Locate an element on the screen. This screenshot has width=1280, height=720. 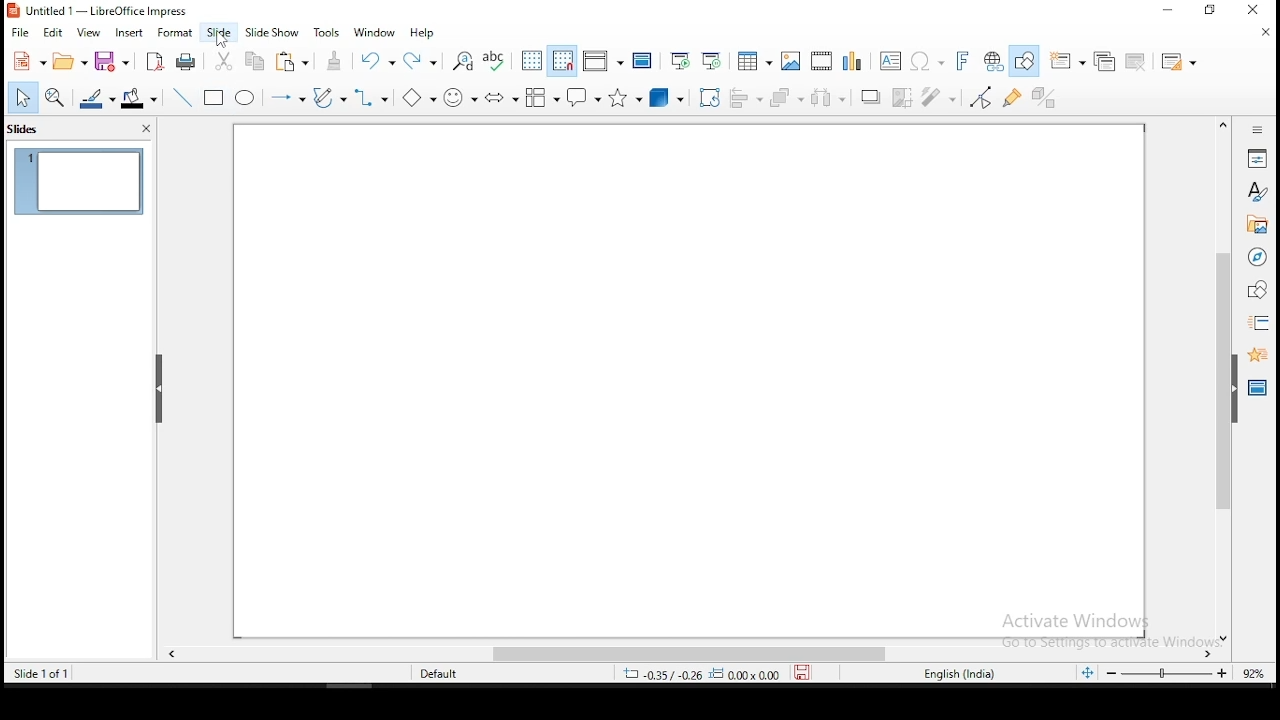
show draw functions is located at coordinates (1024, 60).